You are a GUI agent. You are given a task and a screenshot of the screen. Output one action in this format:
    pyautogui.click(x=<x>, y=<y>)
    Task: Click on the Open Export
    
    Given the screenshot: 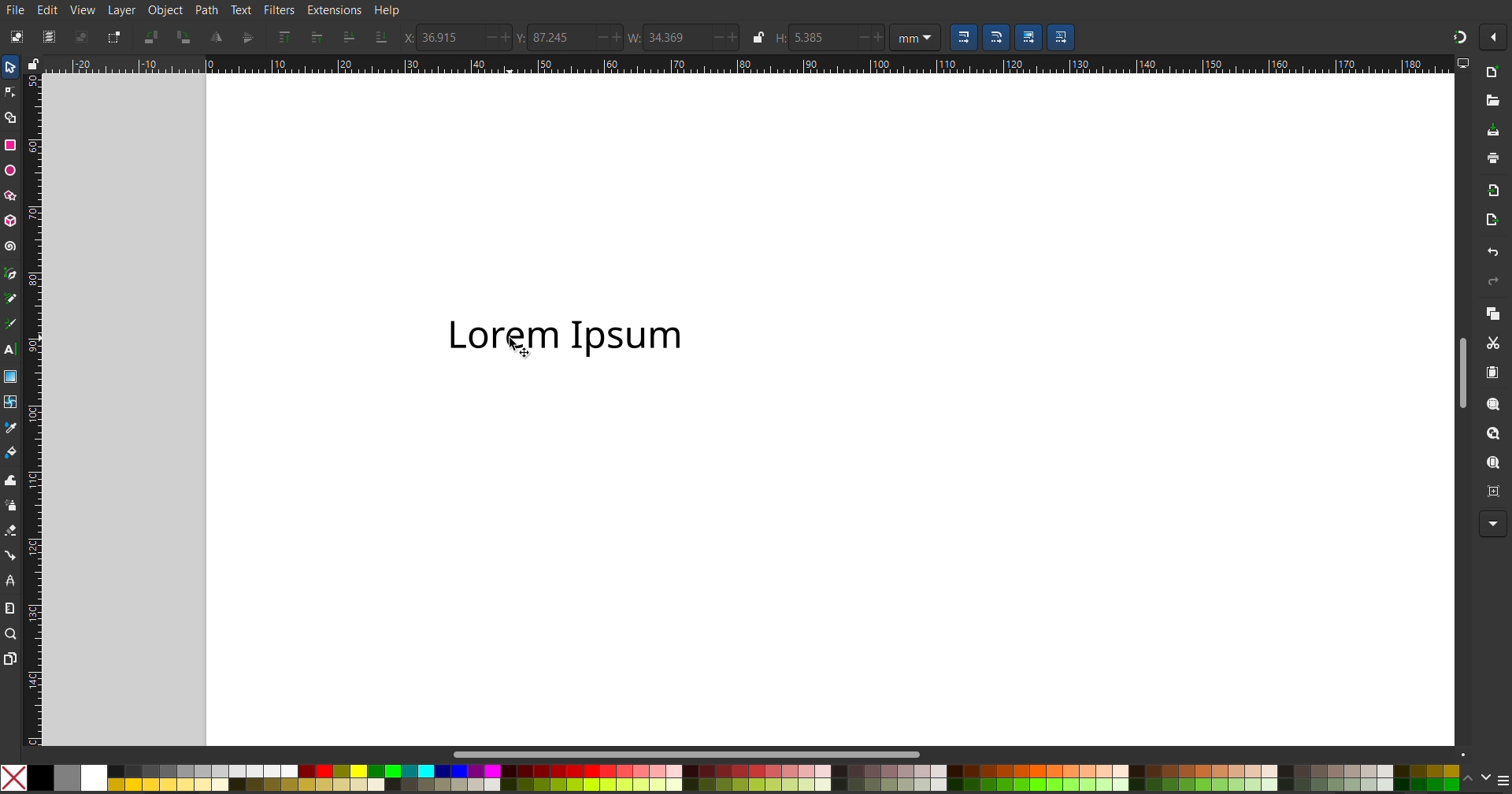 What is the action you would take?
    pyautogui.click(x=1492, y=220)
    